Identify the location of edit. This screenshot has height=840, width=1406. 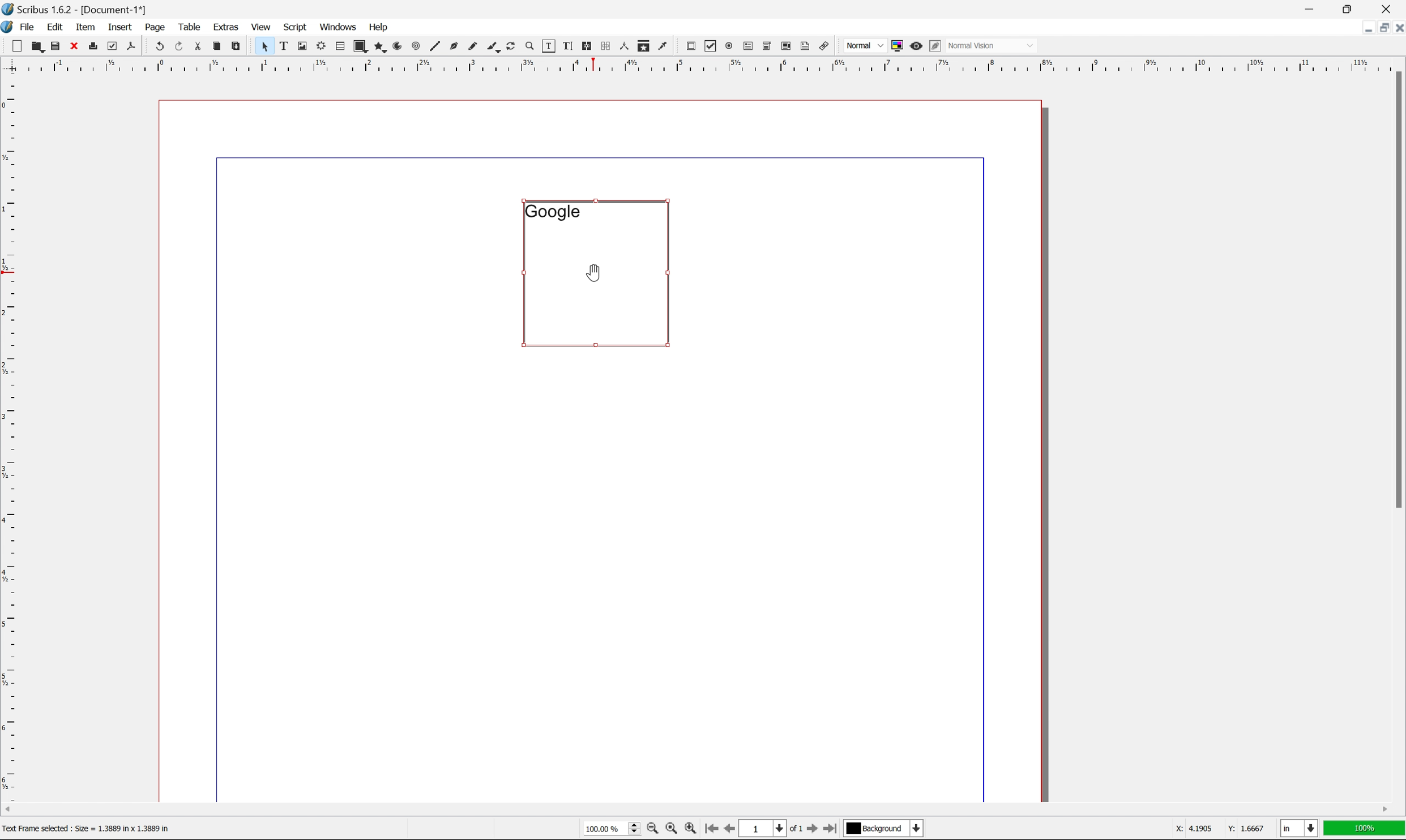
(57, 27).